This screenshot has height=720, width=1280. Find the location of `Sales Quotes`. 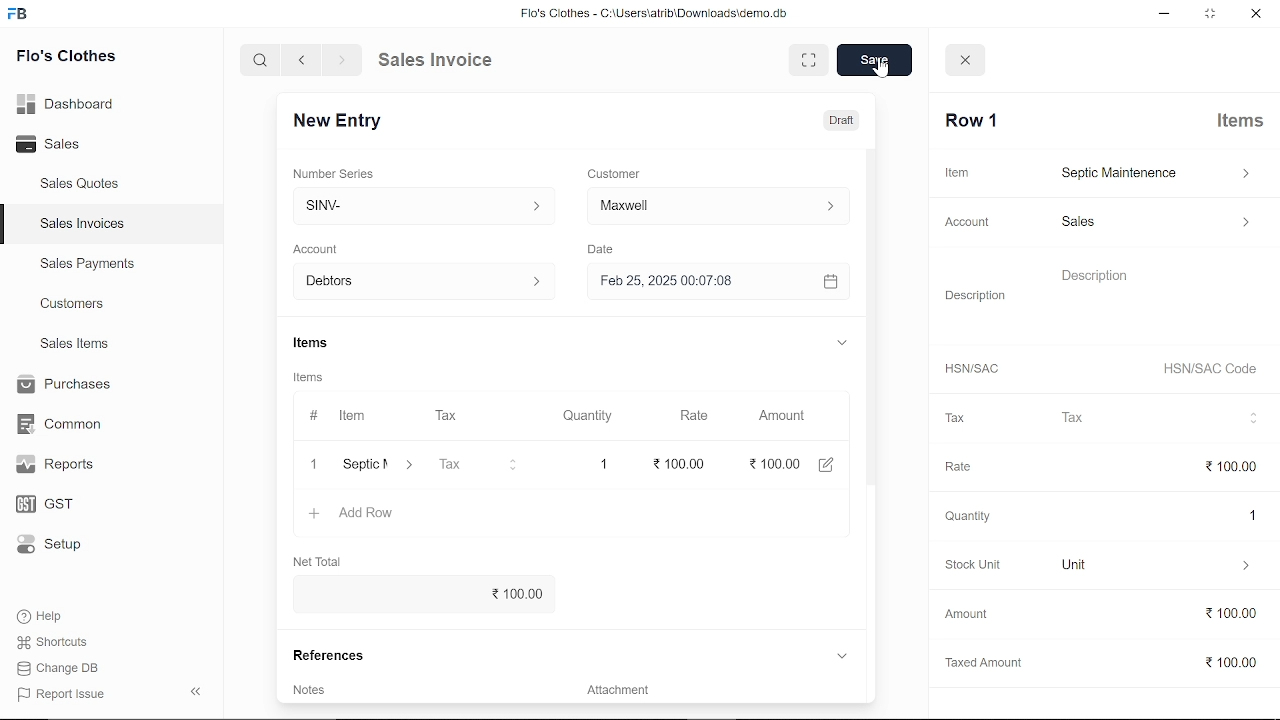

Sales Quotes is located at coordinates (82, 186).